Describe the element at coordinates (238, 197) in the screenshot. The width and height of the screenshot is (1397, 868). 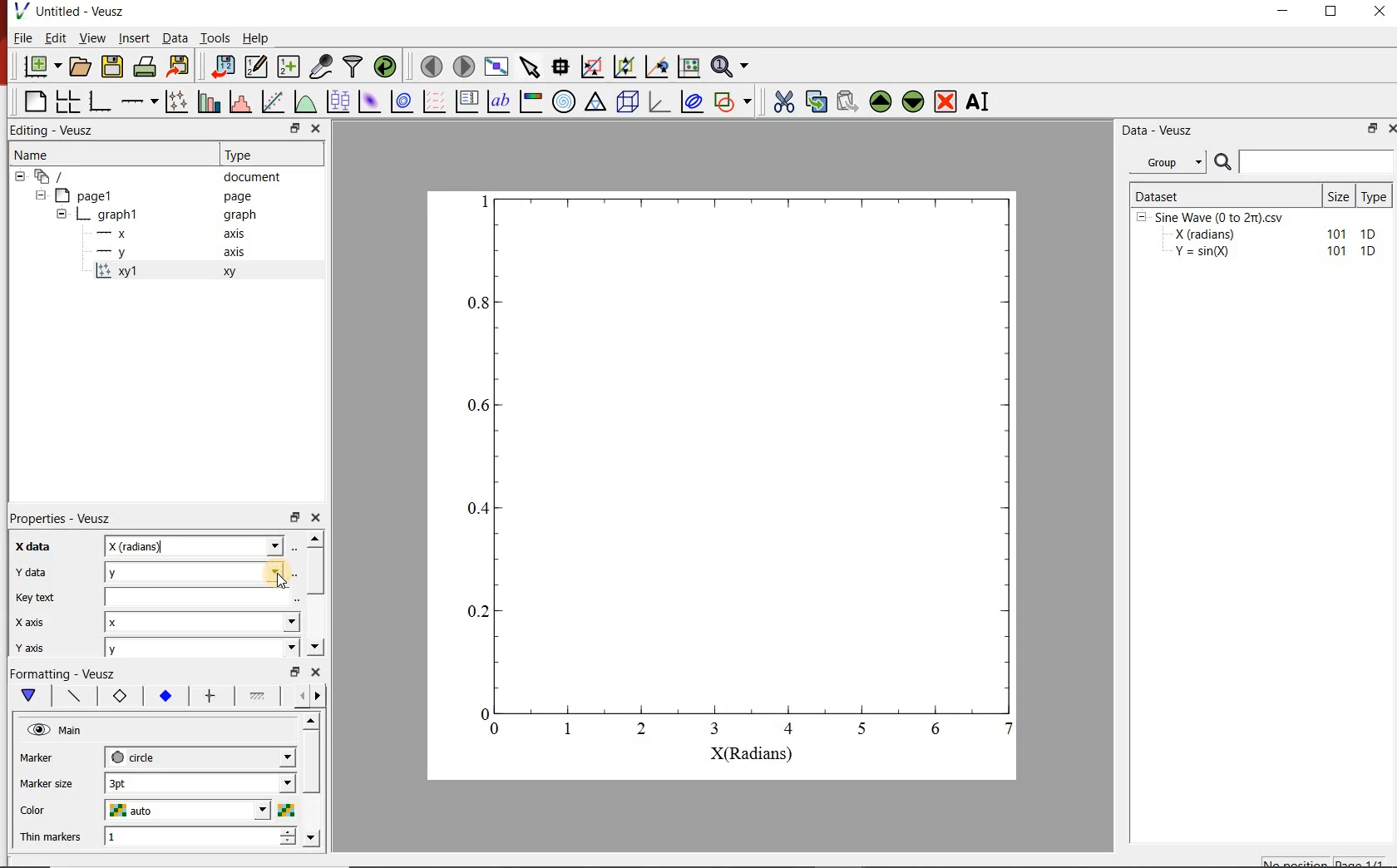
I see `page` at that location.